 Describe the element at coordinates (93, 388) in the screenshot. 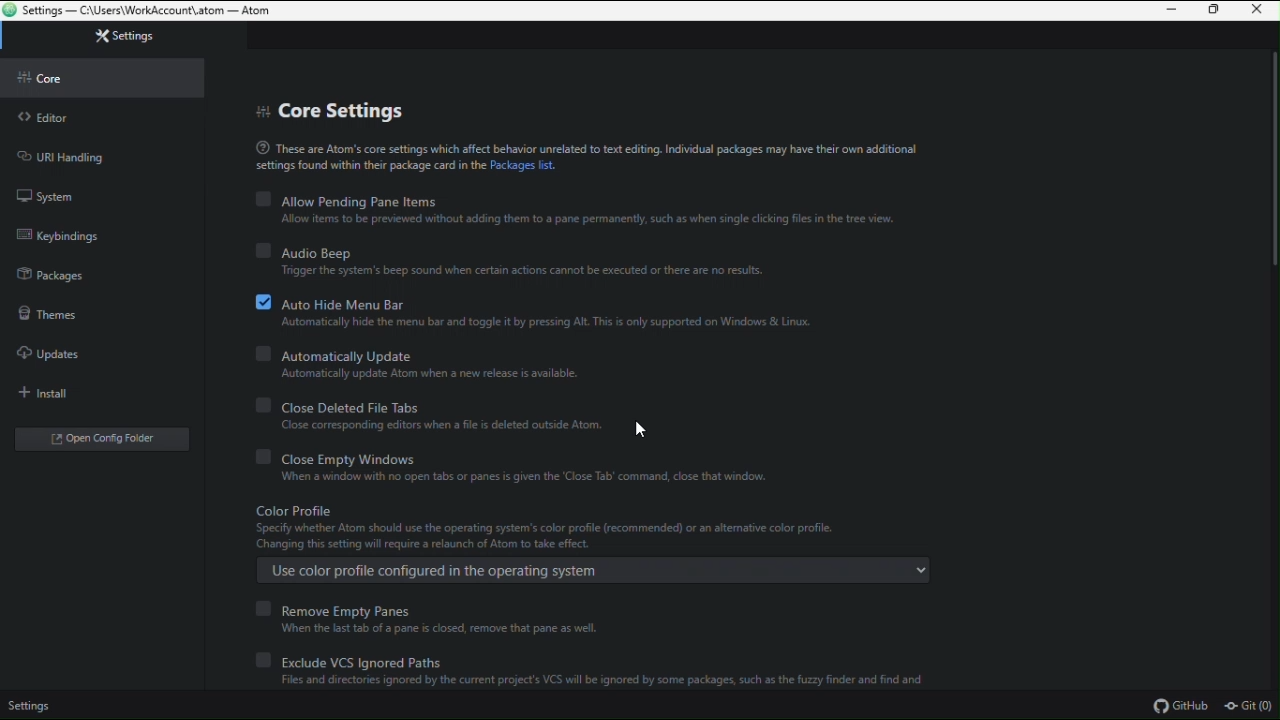

I see `install` at that location.